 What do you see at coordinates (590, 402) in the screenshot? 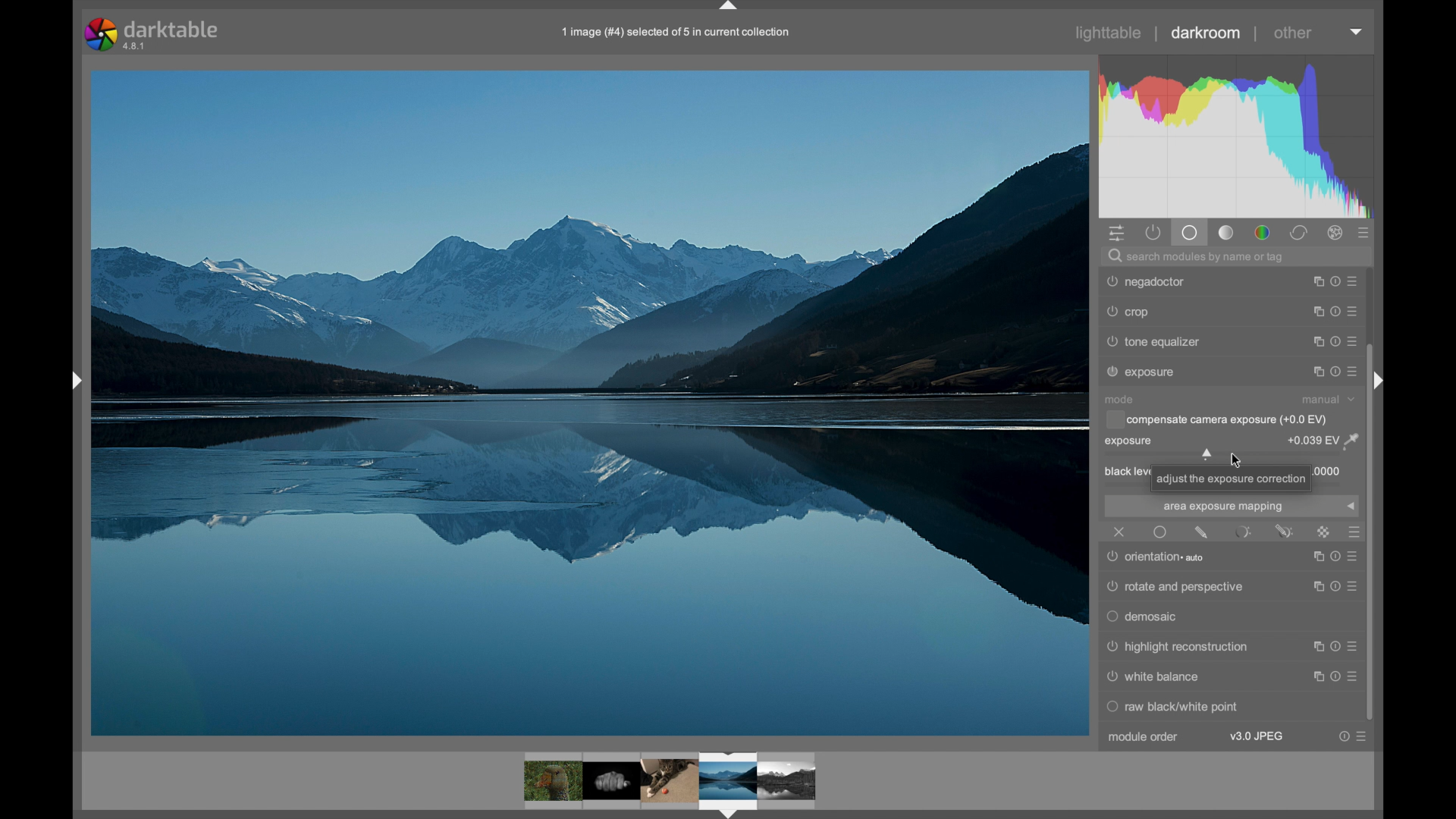
I see `photo` at bounding box center [590, 402].